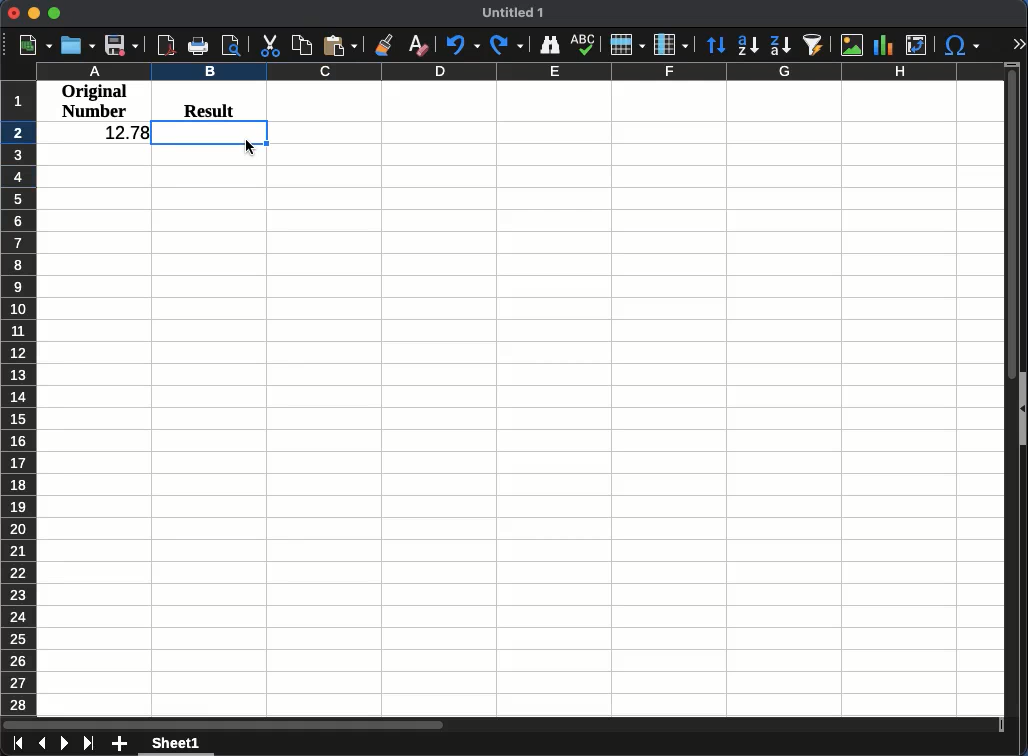 This screenshot has width=1028, height=756. Describe the element at coordinates (515, 73) in the screenshot. I see `Column` at that location.